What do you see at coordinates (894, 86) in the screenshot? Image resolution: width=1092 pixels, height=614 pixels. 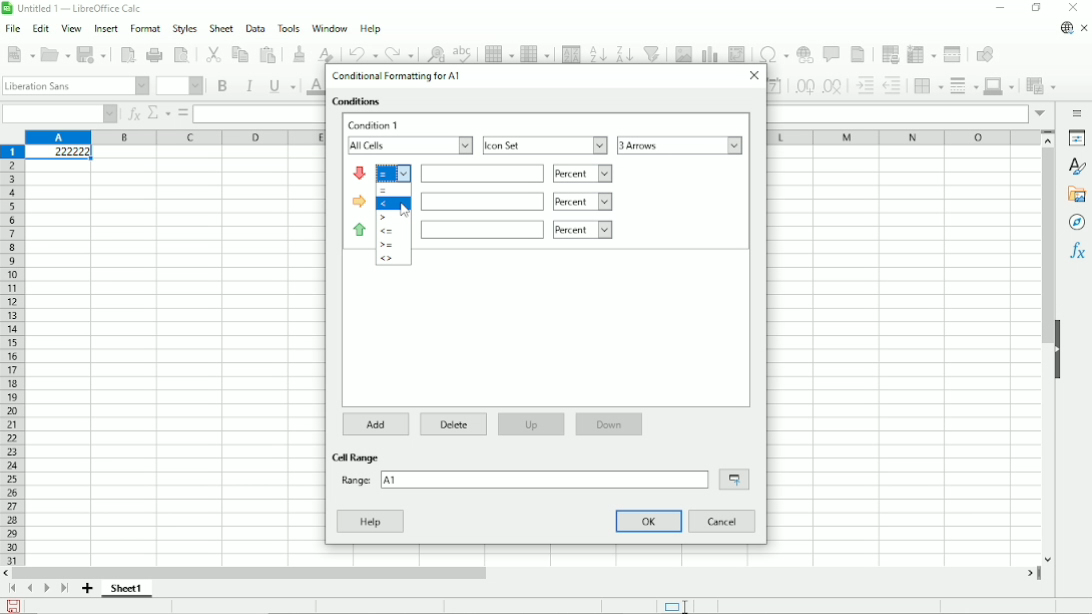 I see `Decrease indent` at bounding box center [894, 86].